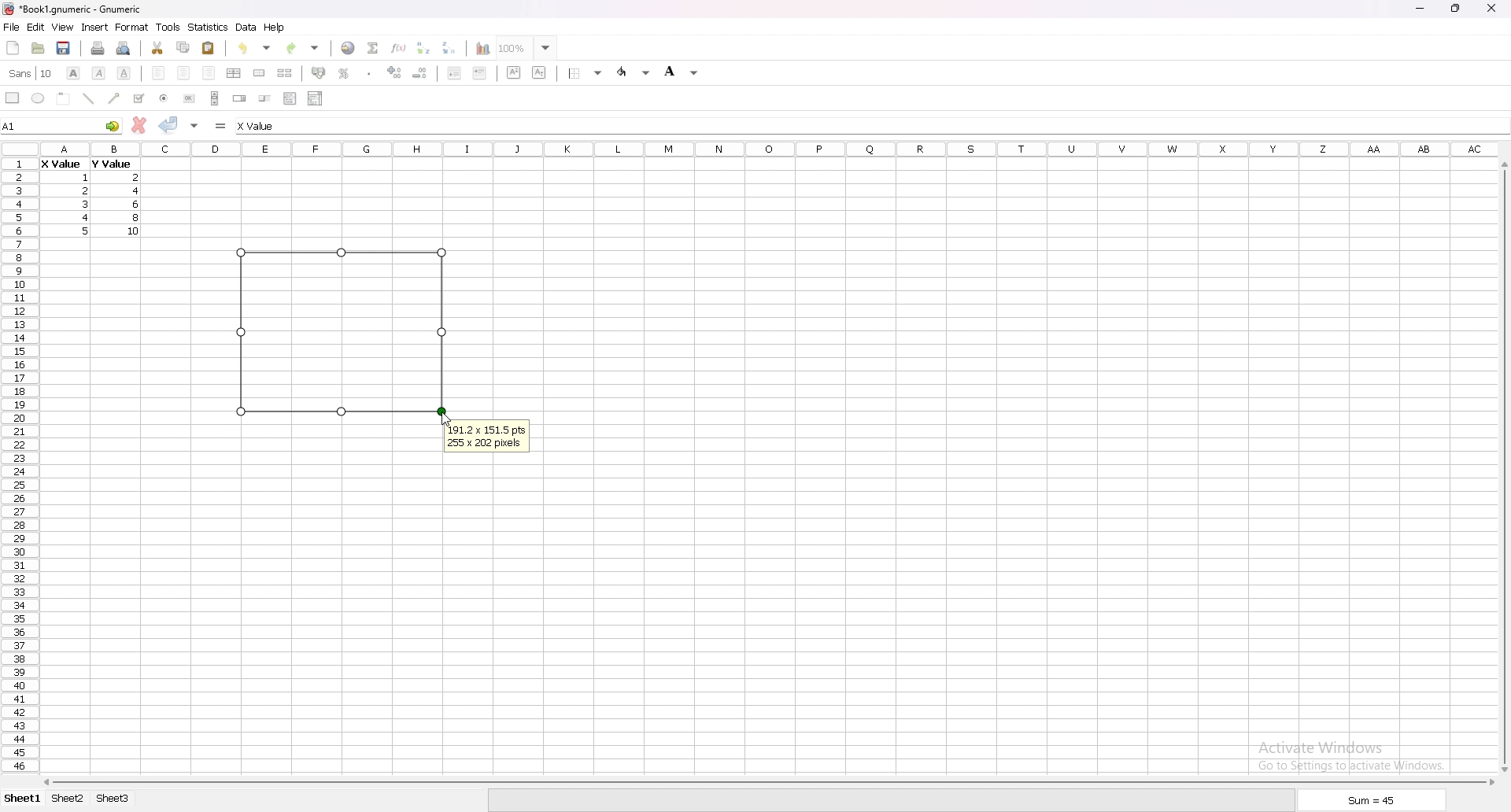 The image size is (1511, 812). Describe the element at coordinates (254, 48) in the screenshot. I see `undo` at that location.